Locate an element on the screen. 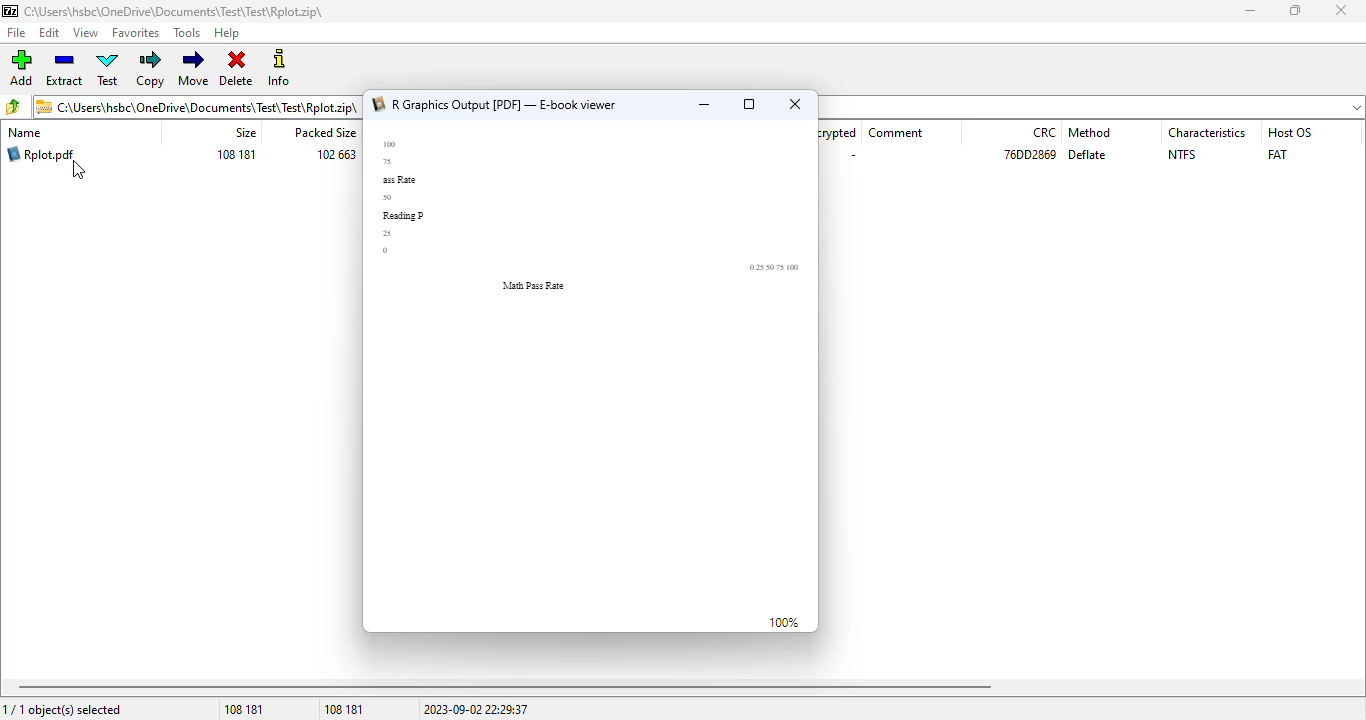 The image size is (1366, 720). C:\Users\hsbc\OneDrive\Documents\Test\Test\Rplot.zip\ is located at coordinates (168, 11).